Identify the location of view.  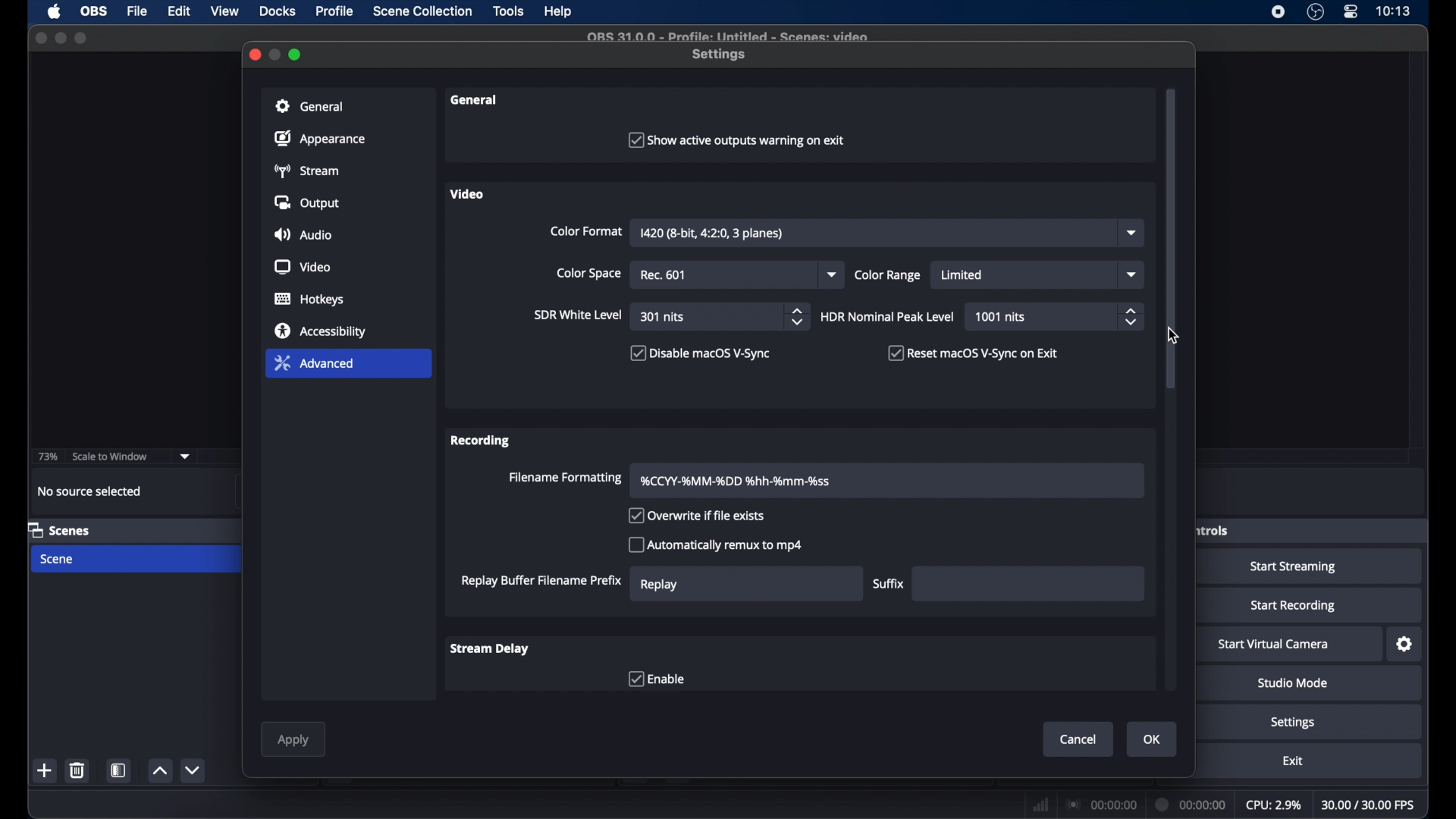
(226, 11).